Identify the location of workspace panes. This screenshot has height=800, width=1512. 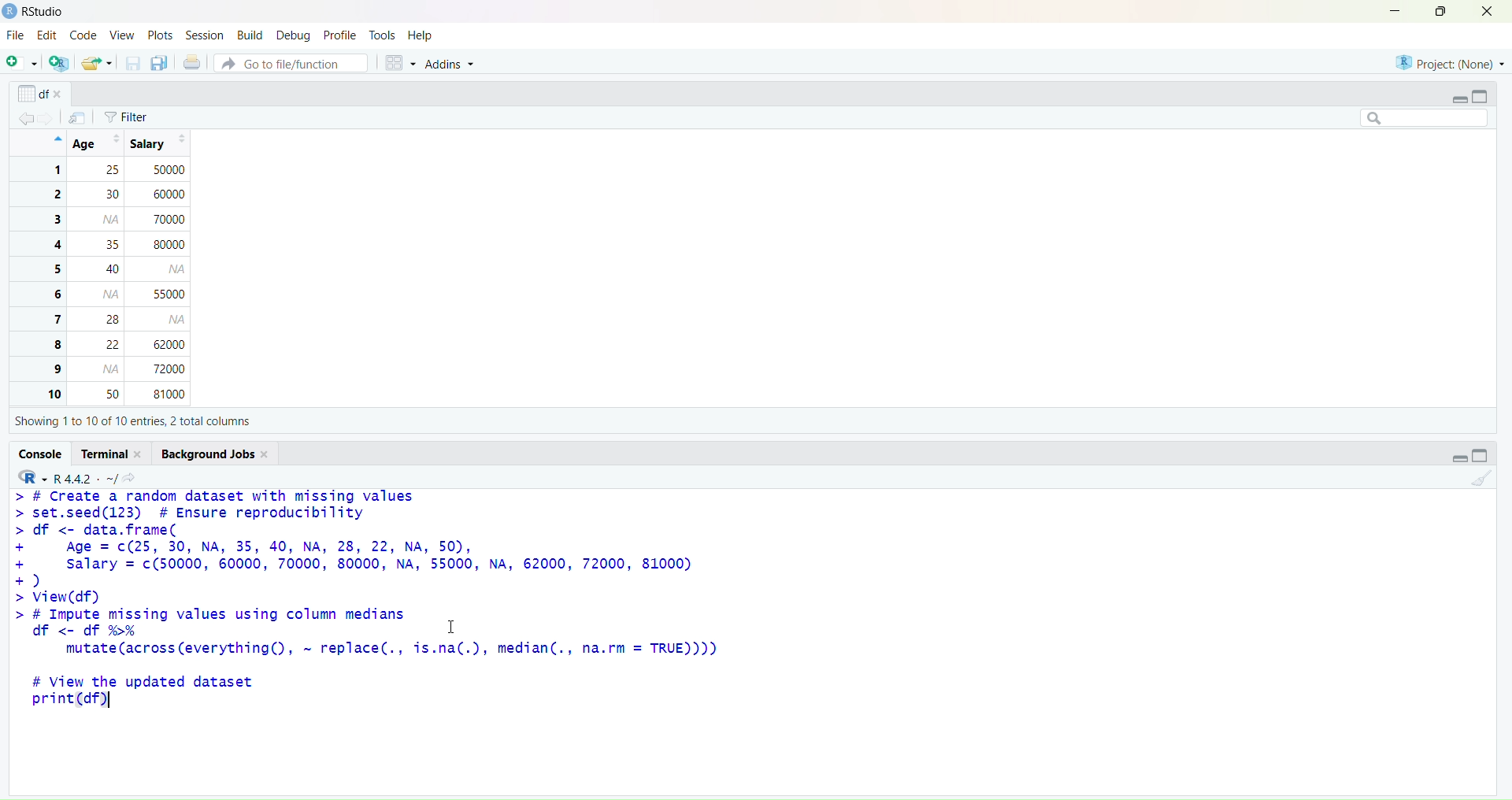
(401, 65).